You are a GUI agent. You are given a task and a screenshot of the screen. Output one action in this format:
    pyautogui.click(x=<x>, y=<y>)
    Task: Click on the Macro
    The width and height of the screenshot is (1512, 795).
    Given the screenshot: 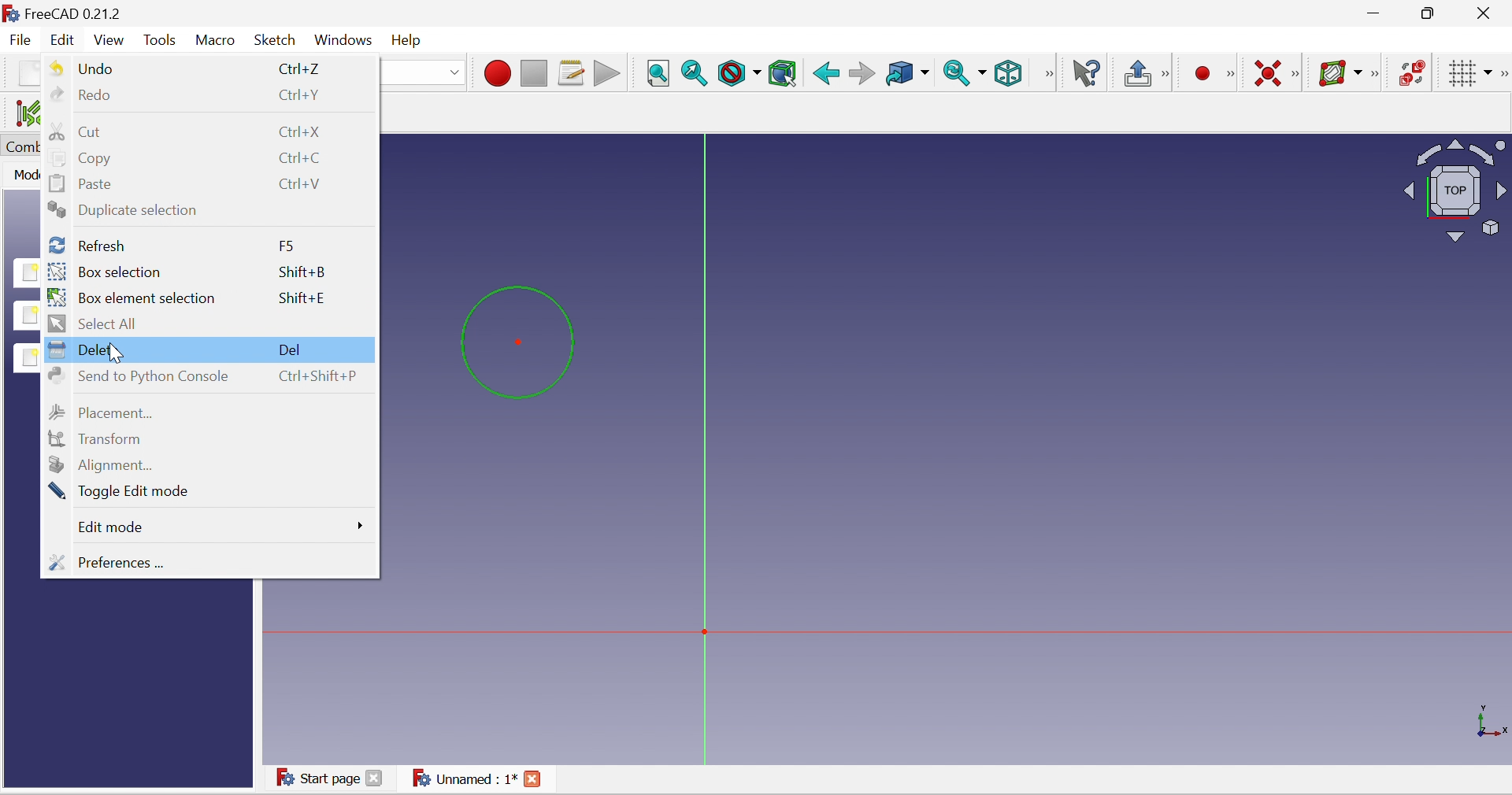 What is the action you would take?
    pyautogui.click(x=216, y=41)
    